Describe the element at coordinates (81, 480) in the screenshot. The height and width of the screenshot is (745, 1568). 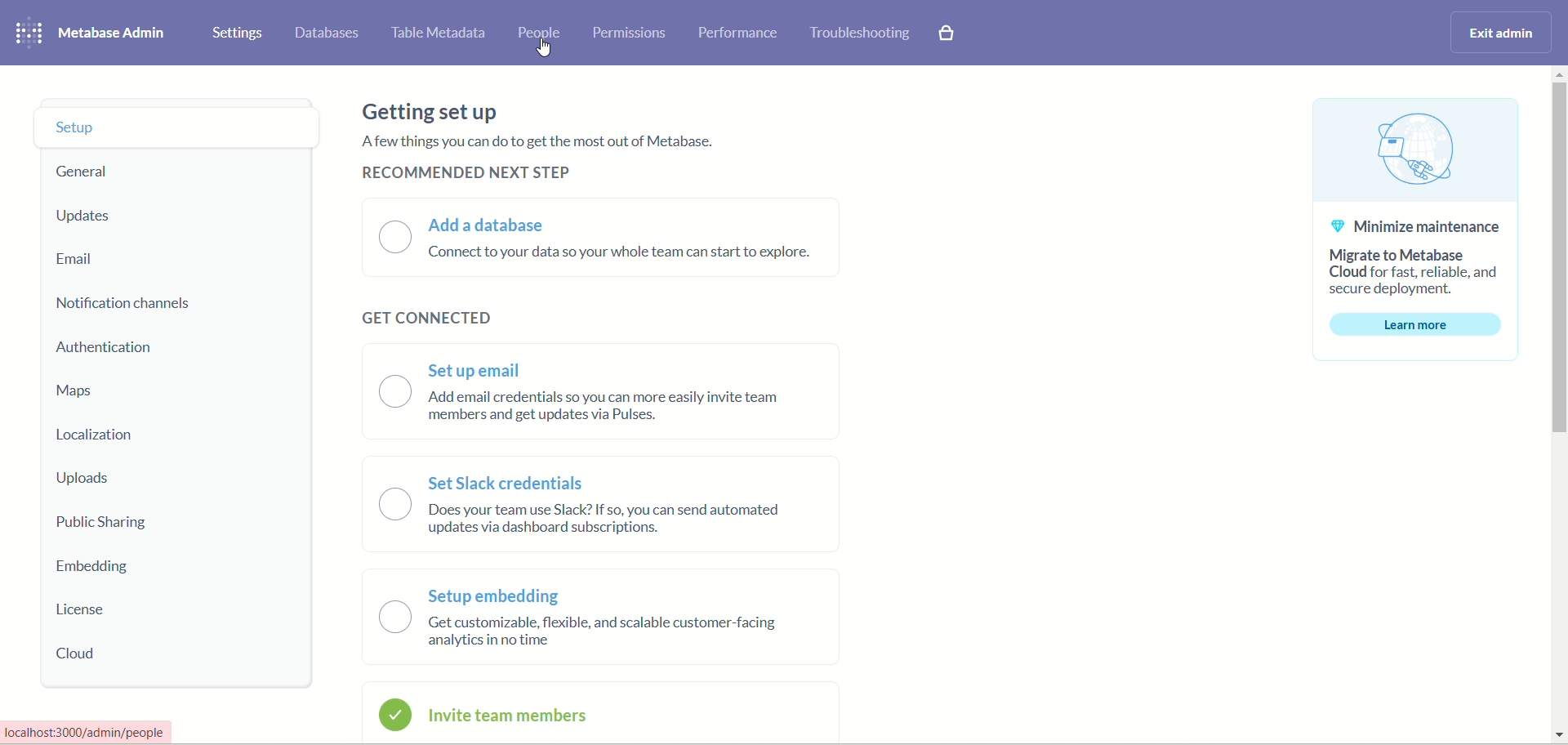
I see `uploads` at that location.